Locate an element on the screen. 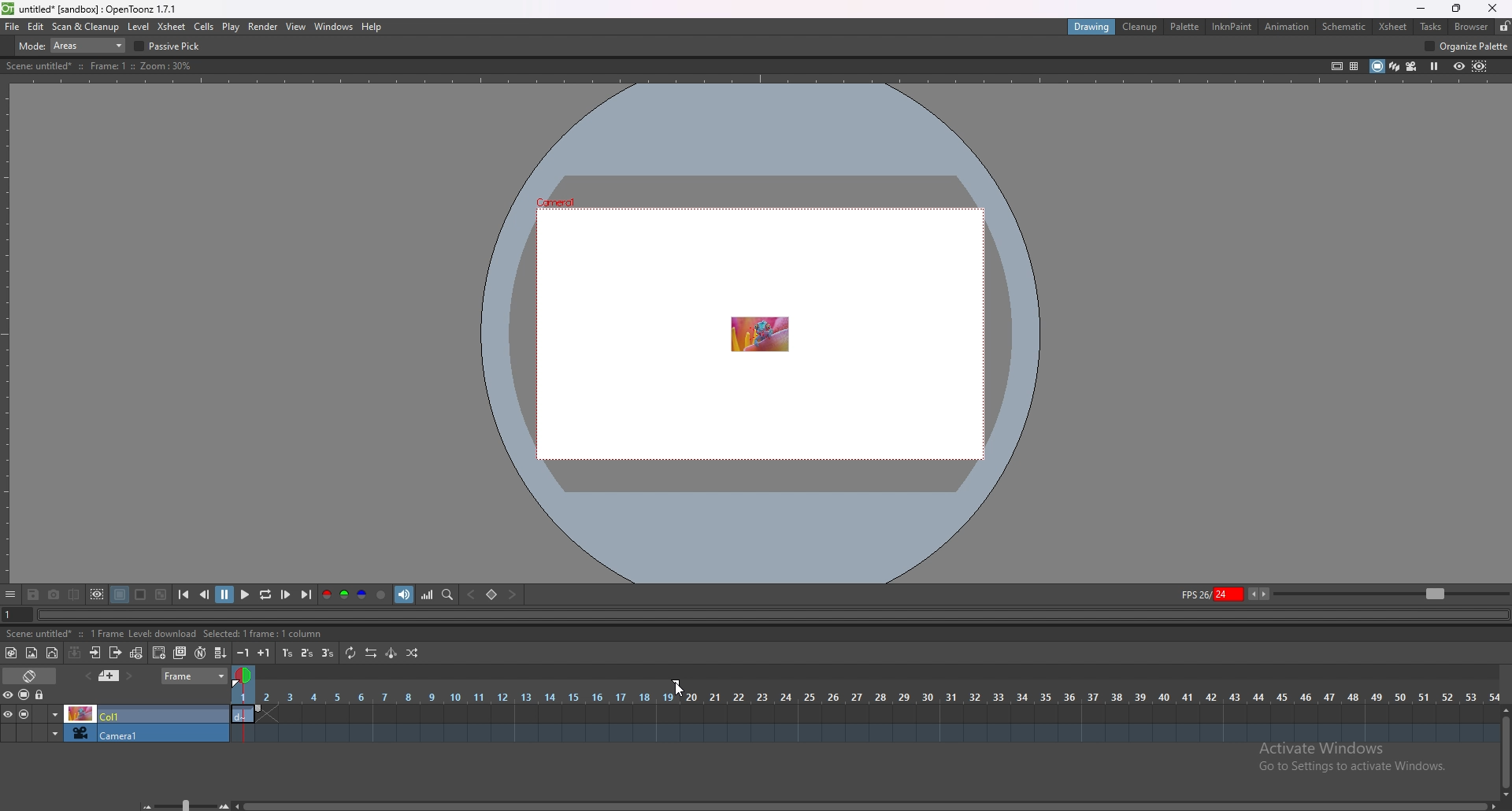 This screenshot has width=1512, height=811. next key is located at coordinates (511, 594).